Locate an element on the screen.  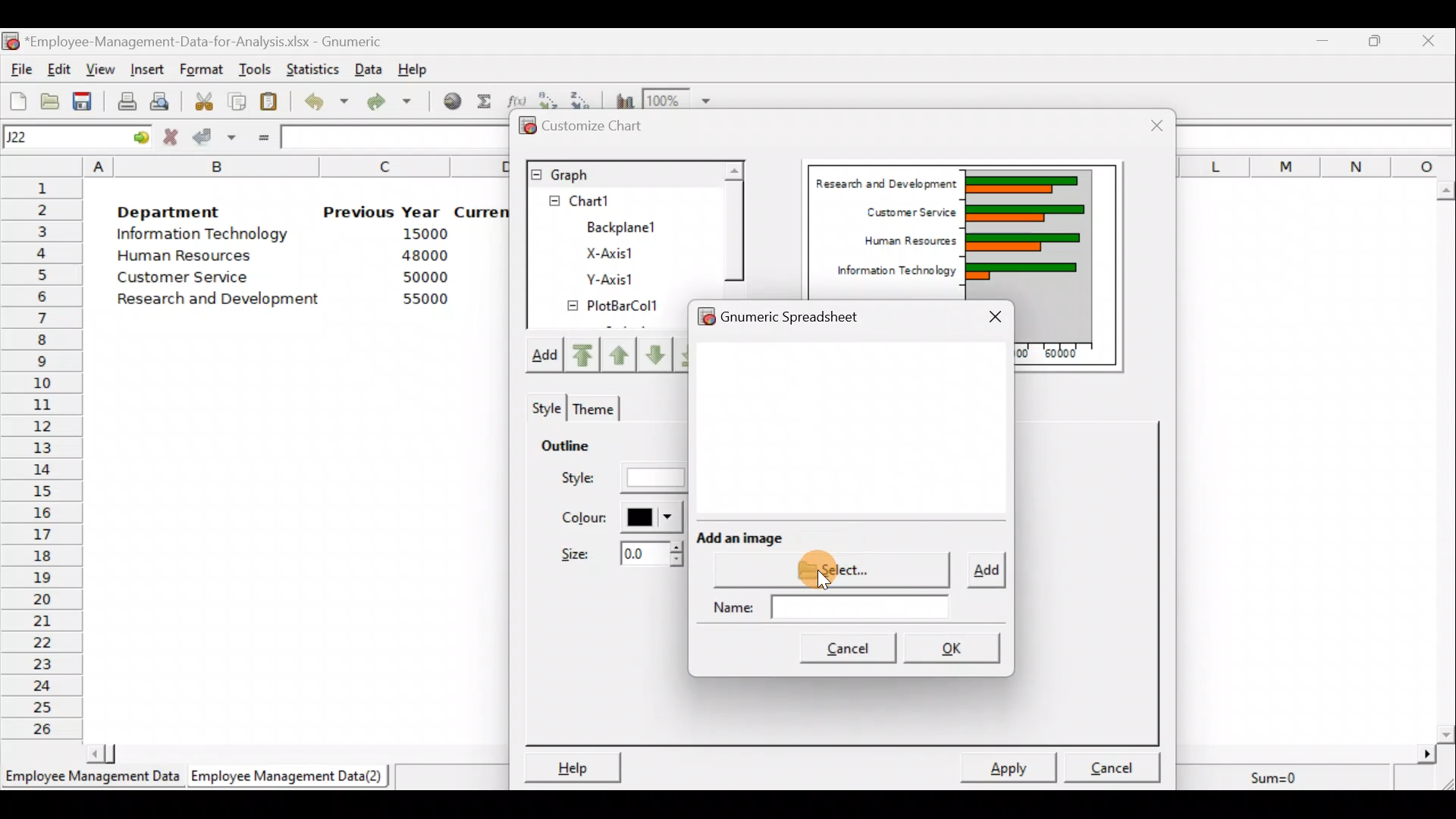
Add is located at coordinates (549, 356).